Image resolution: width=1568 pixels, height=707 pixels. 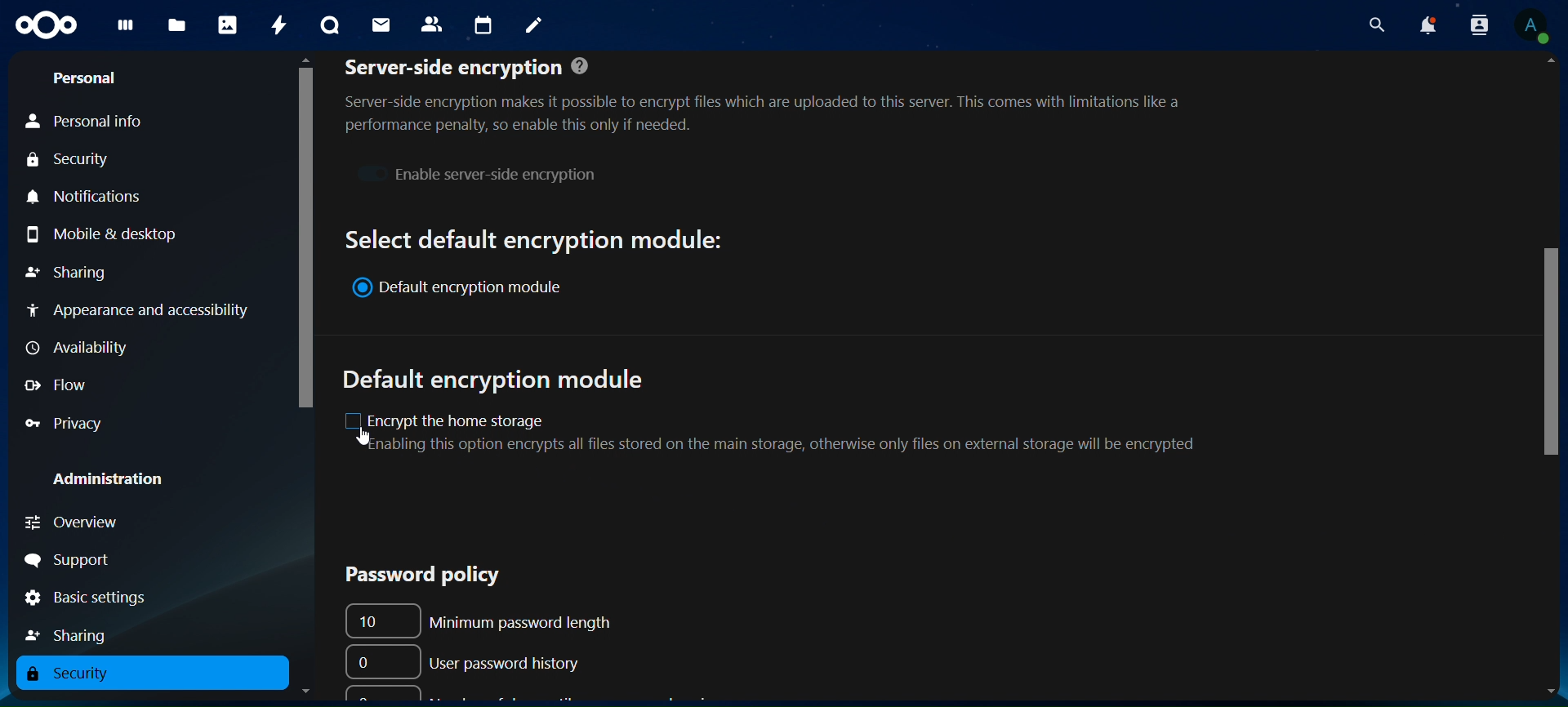 What do you see at coordinates (87, 599) in the screenshot?
I see `basic settings` at bounding box center [87, 599].